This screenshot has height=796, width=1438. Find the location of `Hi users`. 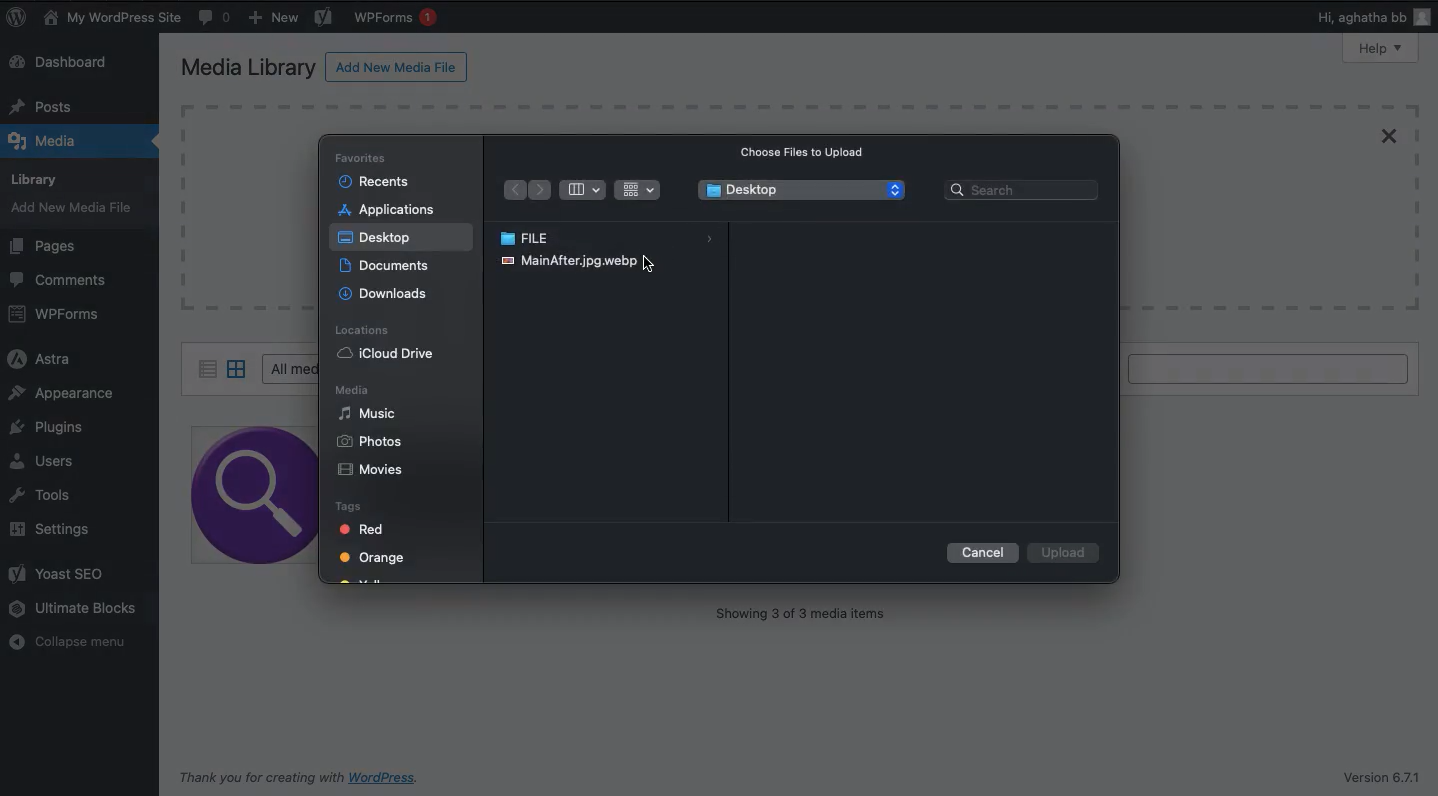

Hi users is located at coordinates (1376, 18).